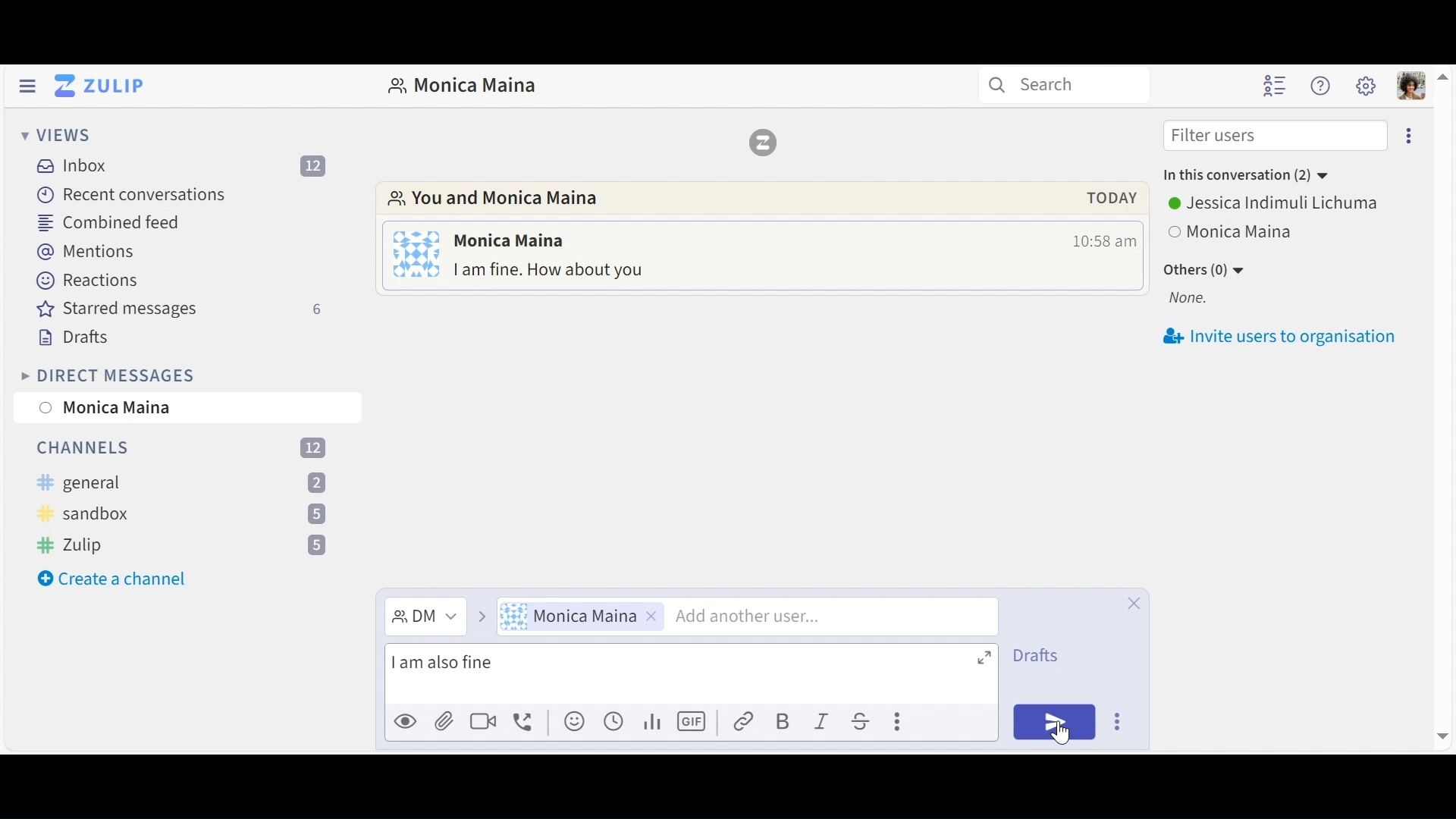 The width and height of the screenshot is (1456, 819). What do you see at coordinates (185, 448) in the screenshot?
I see `Channels` at bounding box center [185, 448].